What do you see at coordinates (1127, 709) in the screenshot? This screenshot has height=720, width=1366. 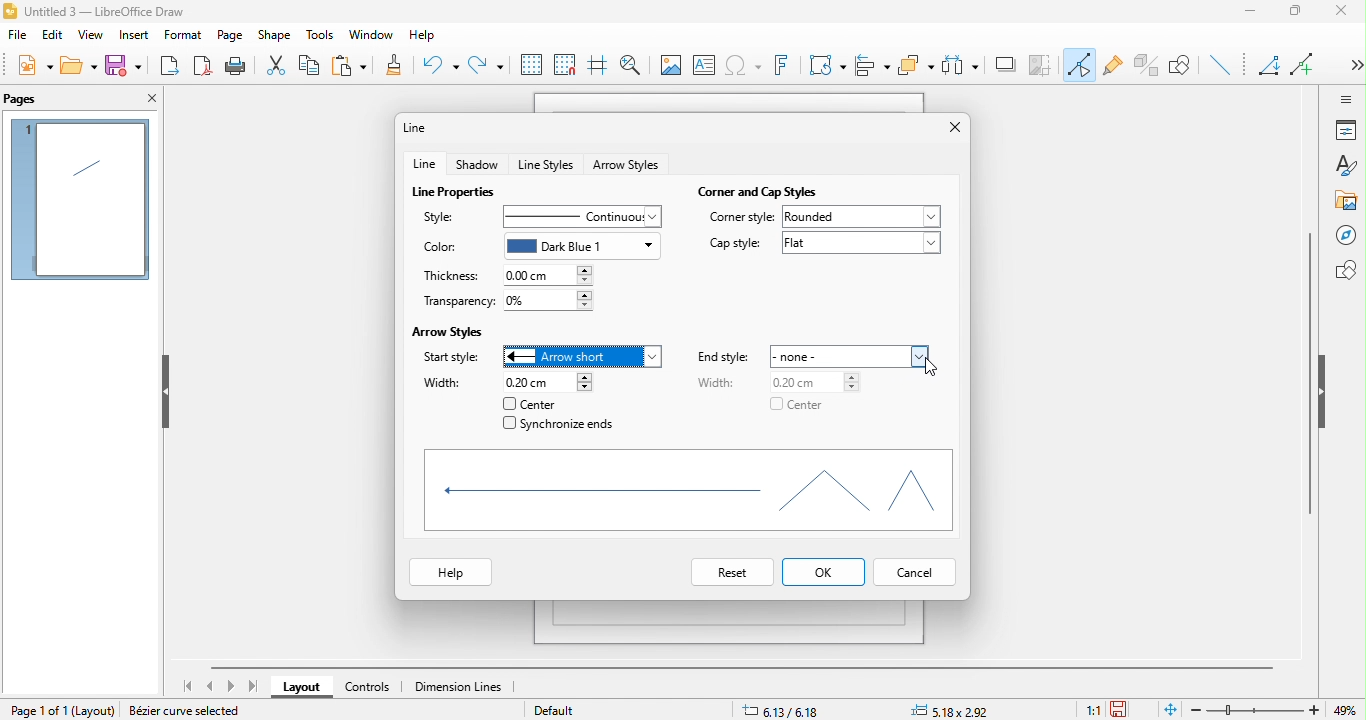 I see `the document has not been modified since the last save` at bounding box center [1127, 709].